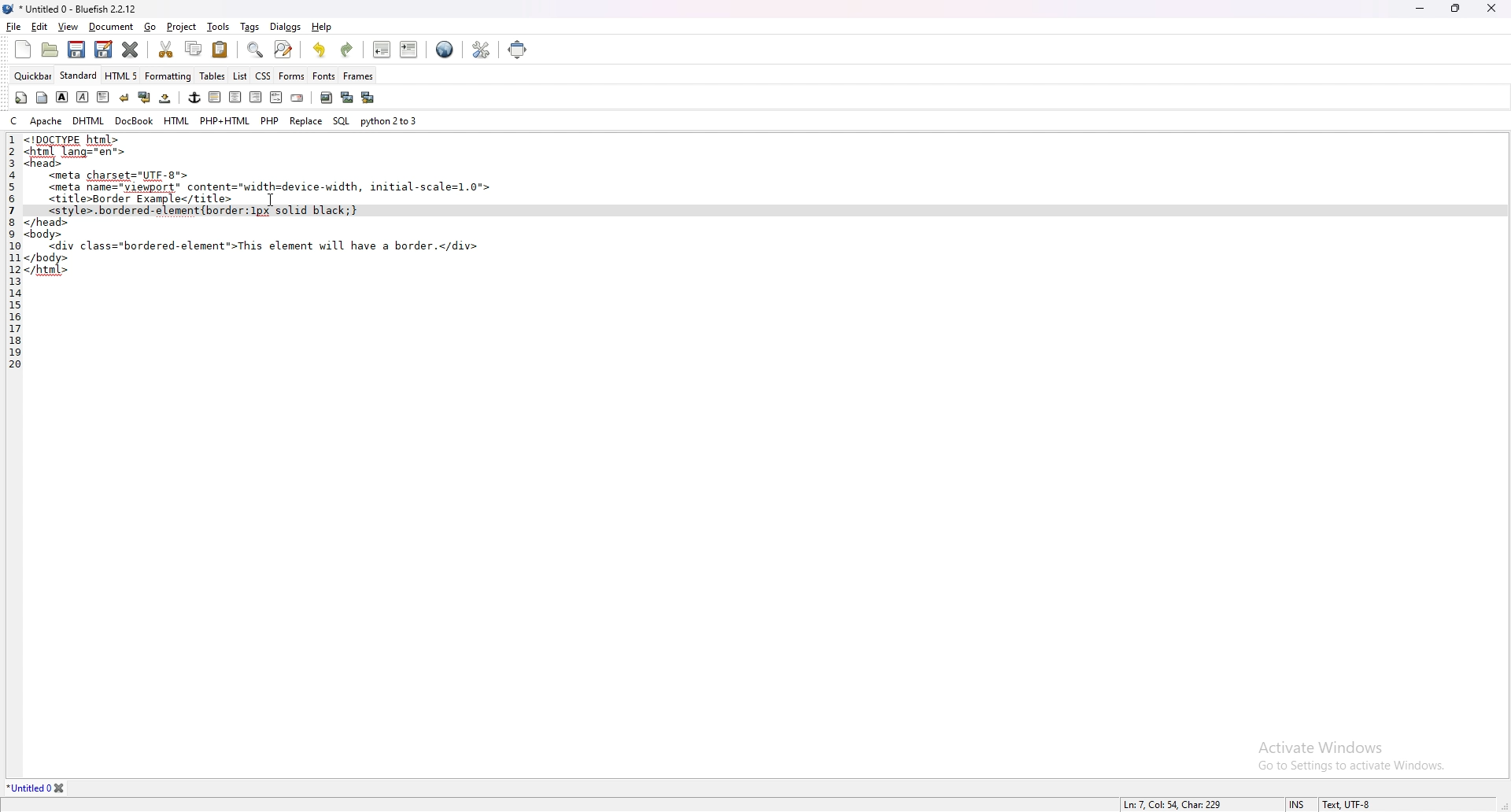  What do you see at coordinates (145, 98) in the screenshot?
I see `break and clear` at bounding box center [145, 98].